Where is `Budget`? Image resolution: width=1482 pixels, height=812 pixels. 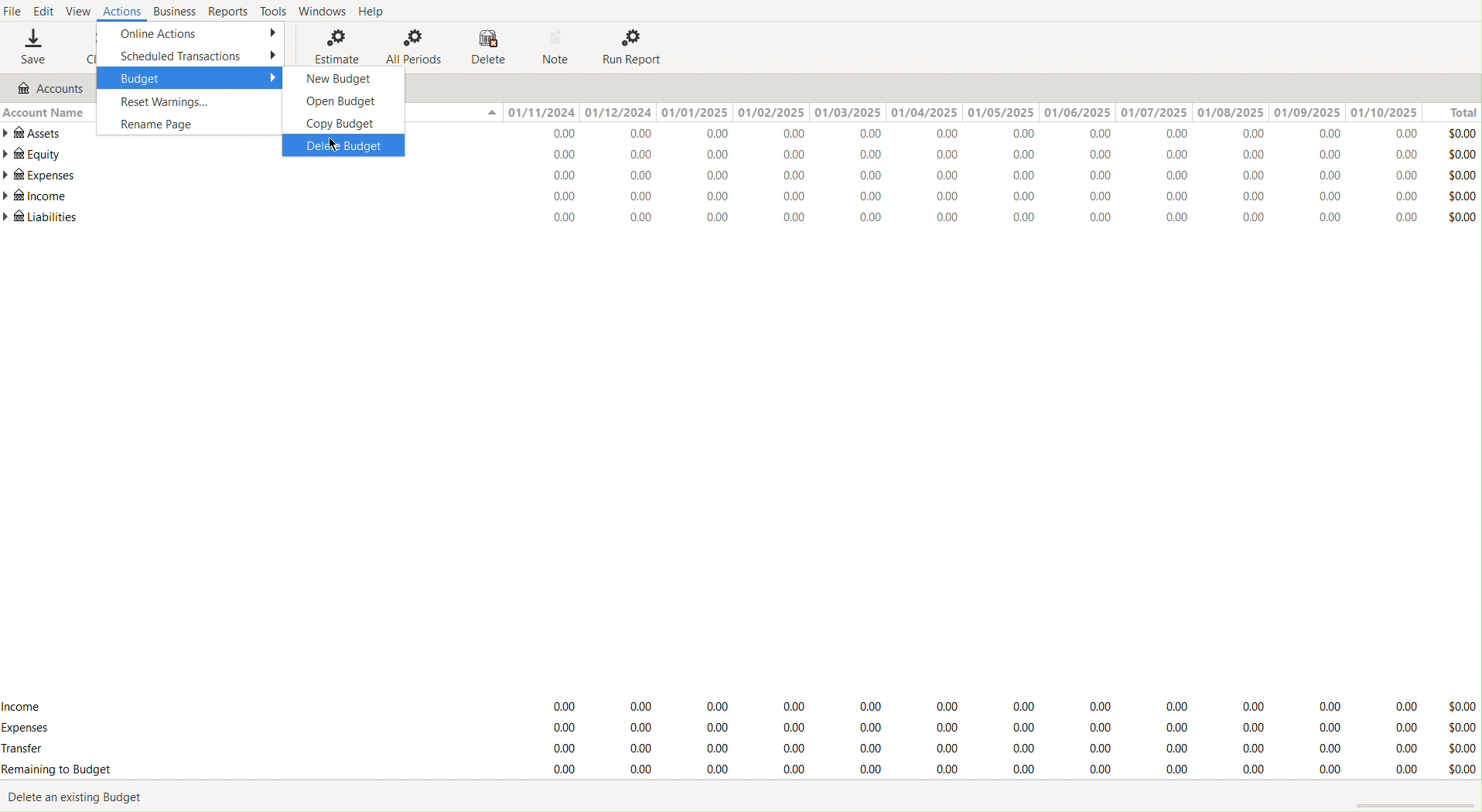
Budget is located at coordinates (192, 78).